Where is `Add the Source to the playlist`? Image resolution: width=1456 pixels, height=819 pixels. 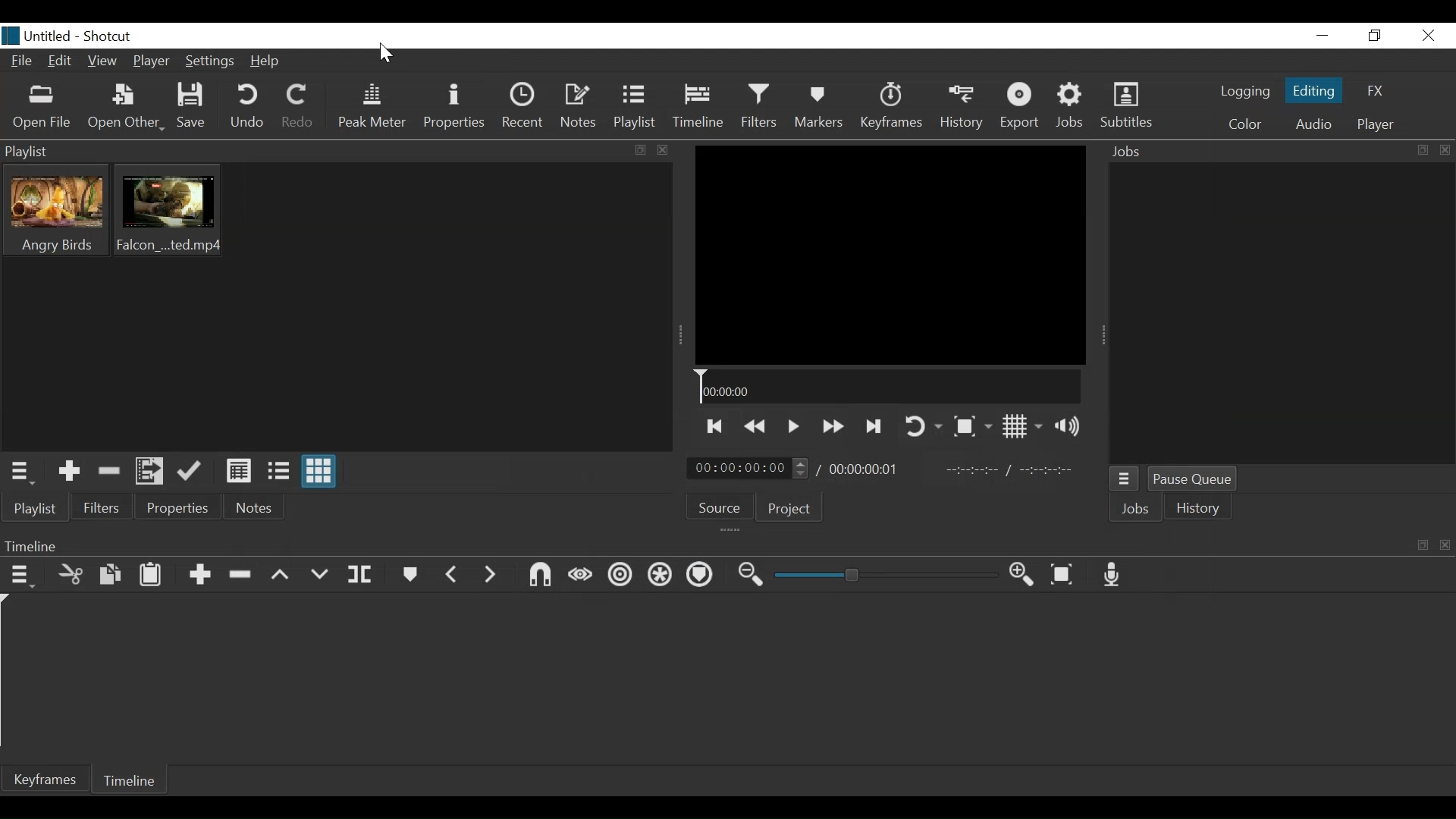
Add the Source to the playlist is located at coordinates (69, 471).